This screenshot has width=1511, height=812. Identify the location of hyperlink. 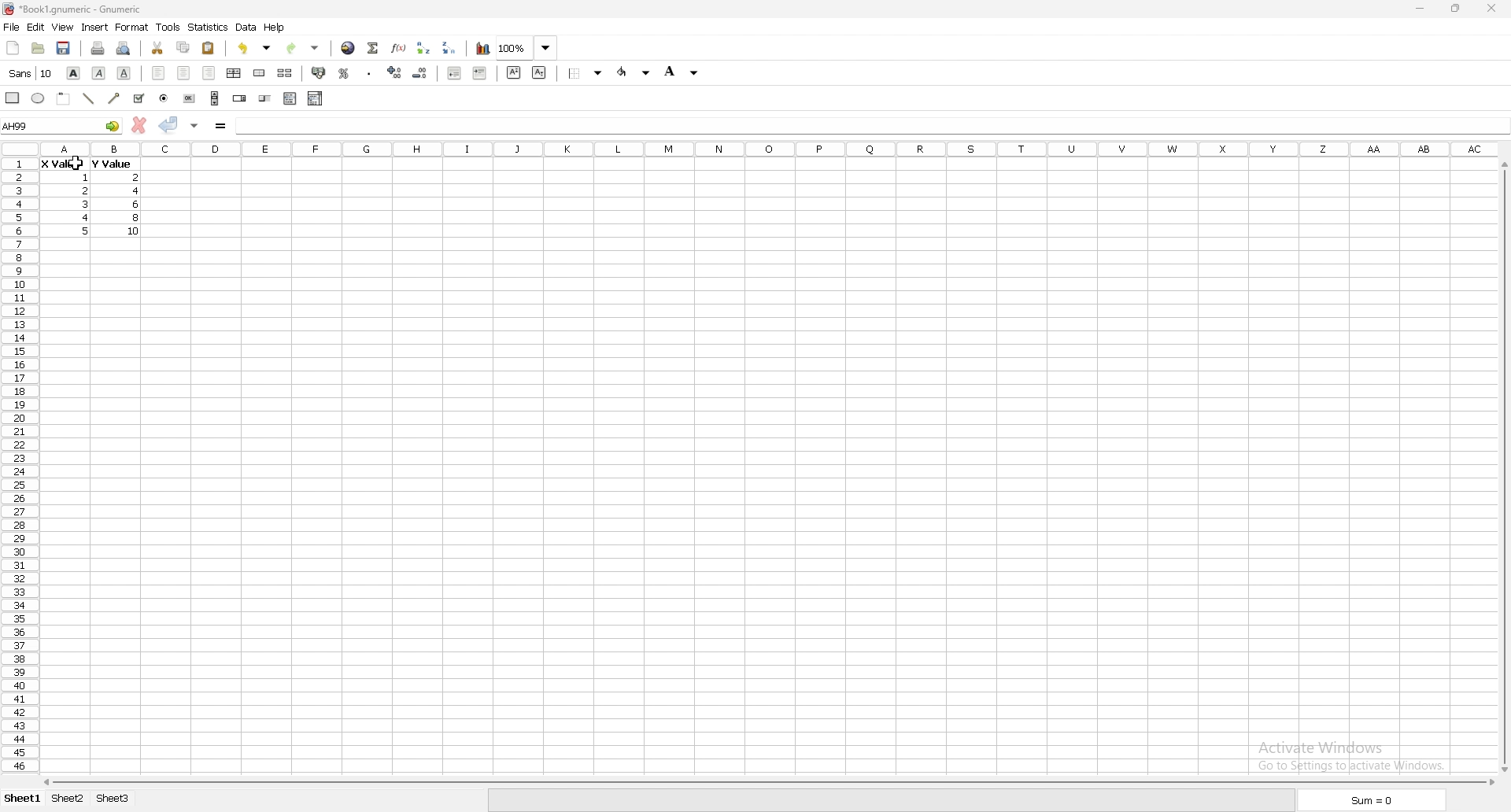
(348, 48).